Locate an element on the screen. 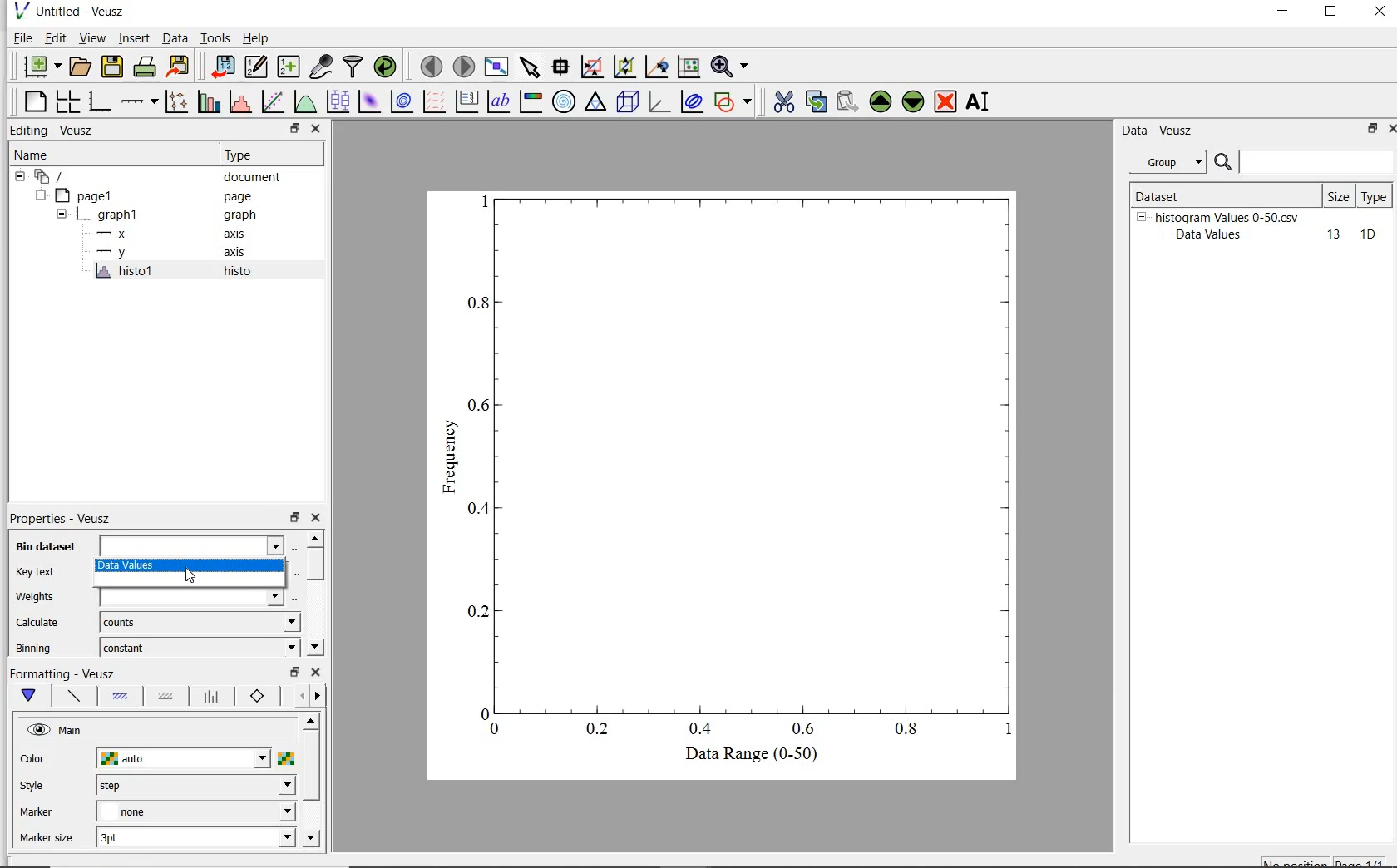  move to previous page is located at coordinates (431, 67).